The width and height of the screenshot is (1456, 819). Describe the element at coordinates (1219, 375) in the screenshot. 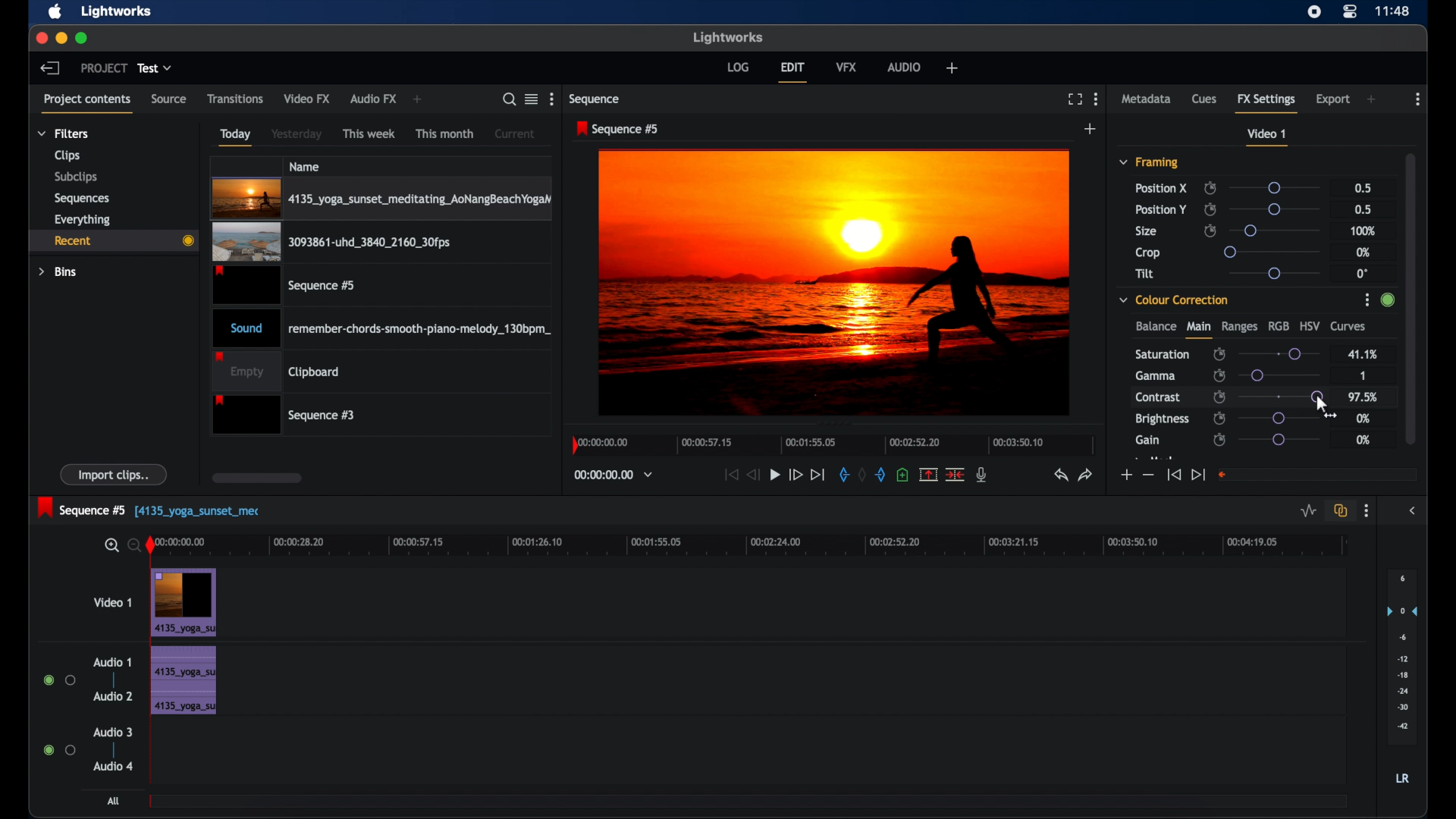

I see `enable/disable keyframes` at that location.